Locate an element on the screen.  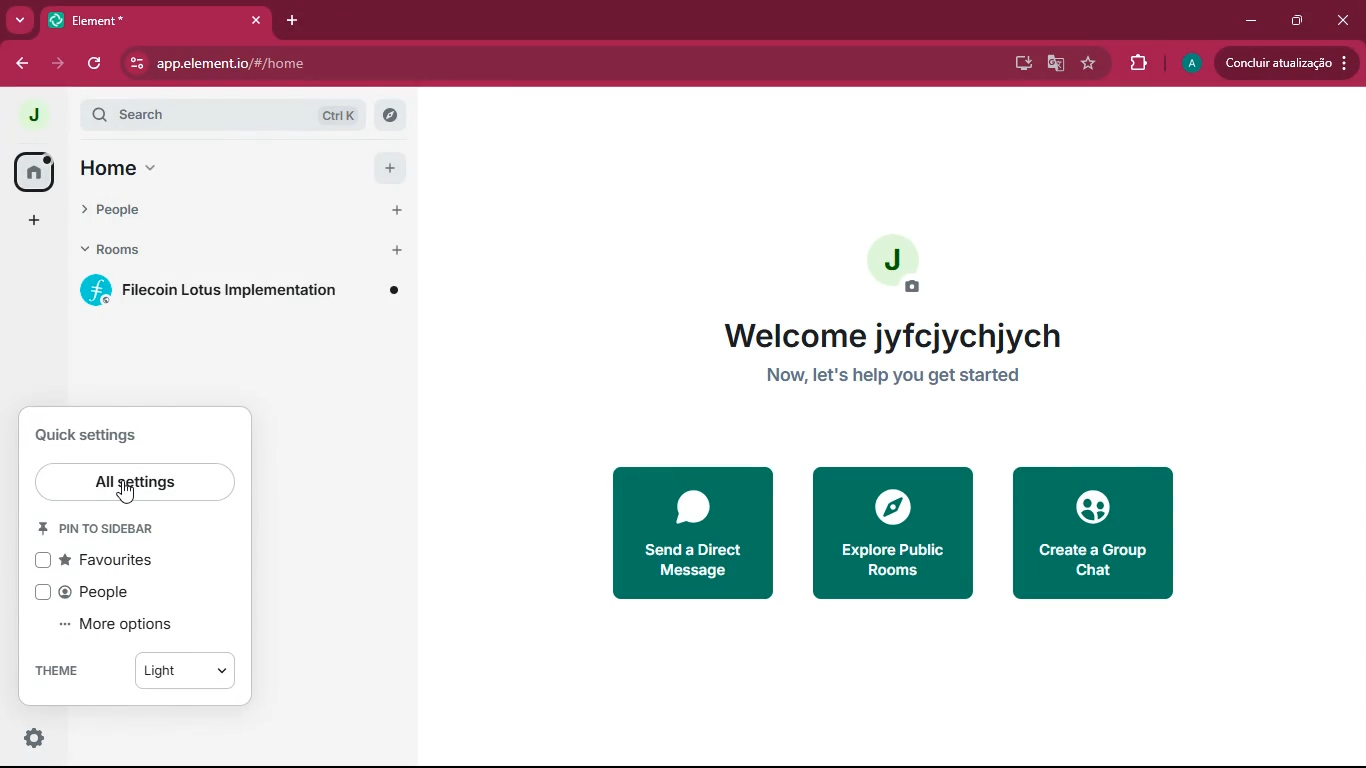
minimize is located at coordinates (1249, 19).